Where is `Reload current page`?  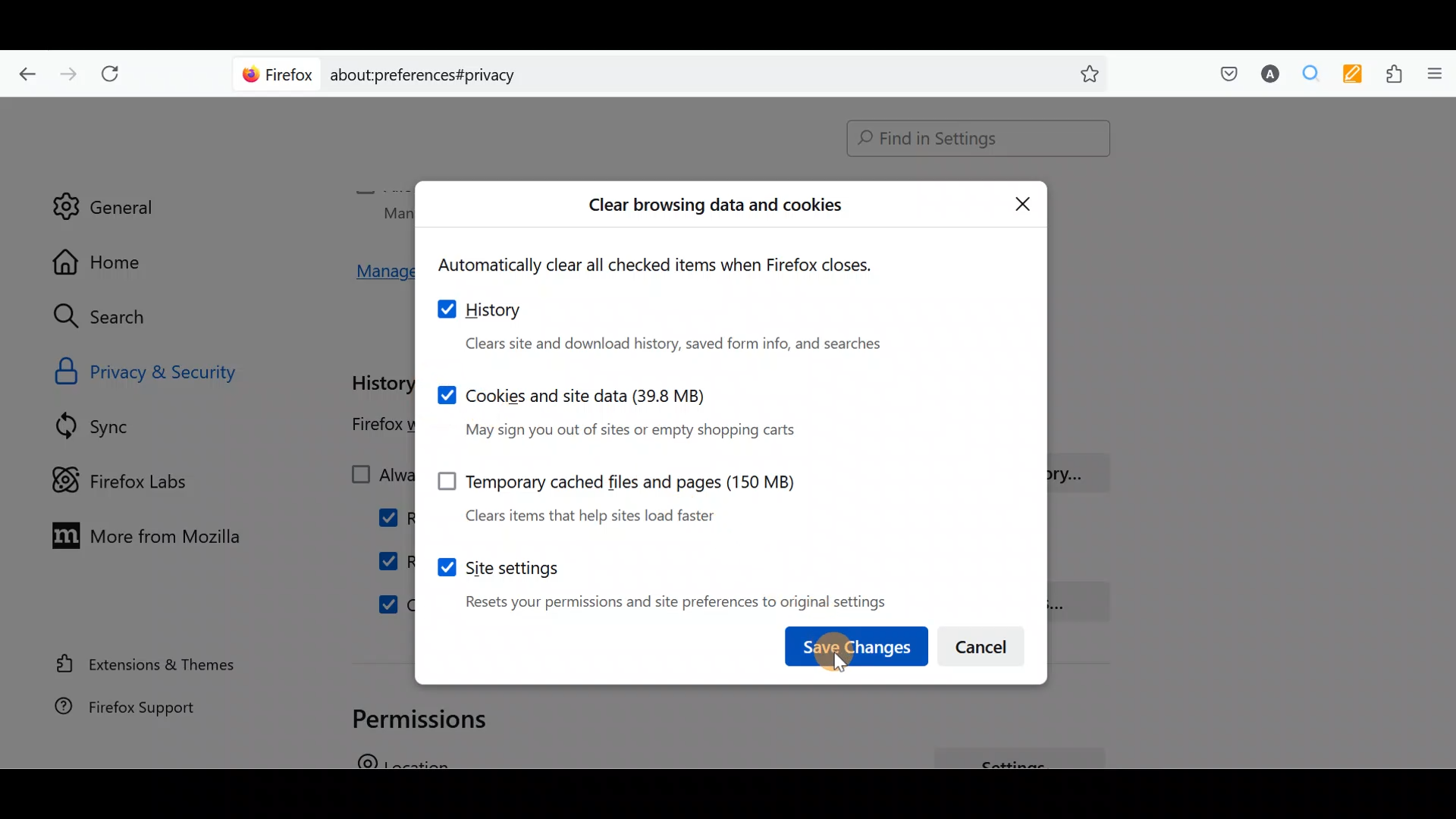
Reload current page is located at coordinates (115, 74).